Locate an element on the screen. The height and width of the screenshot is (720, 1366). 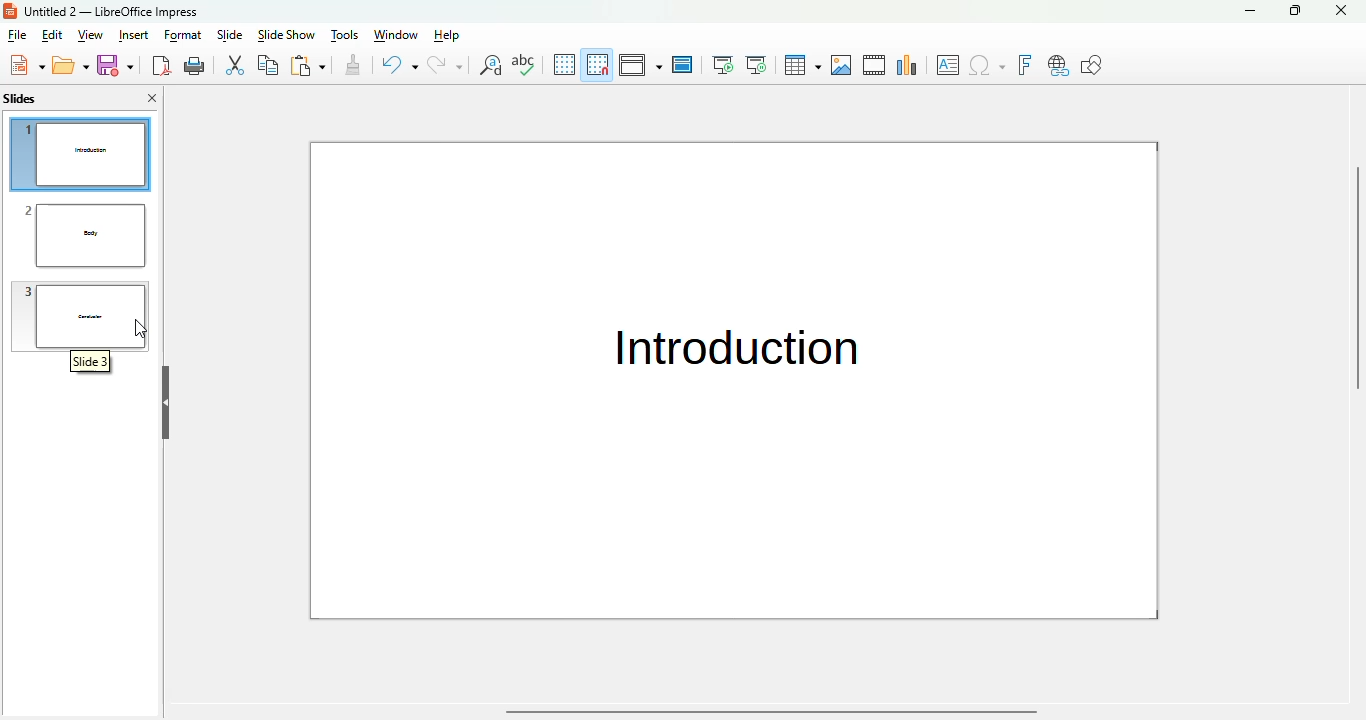
view is located at coordinates (90, 35).